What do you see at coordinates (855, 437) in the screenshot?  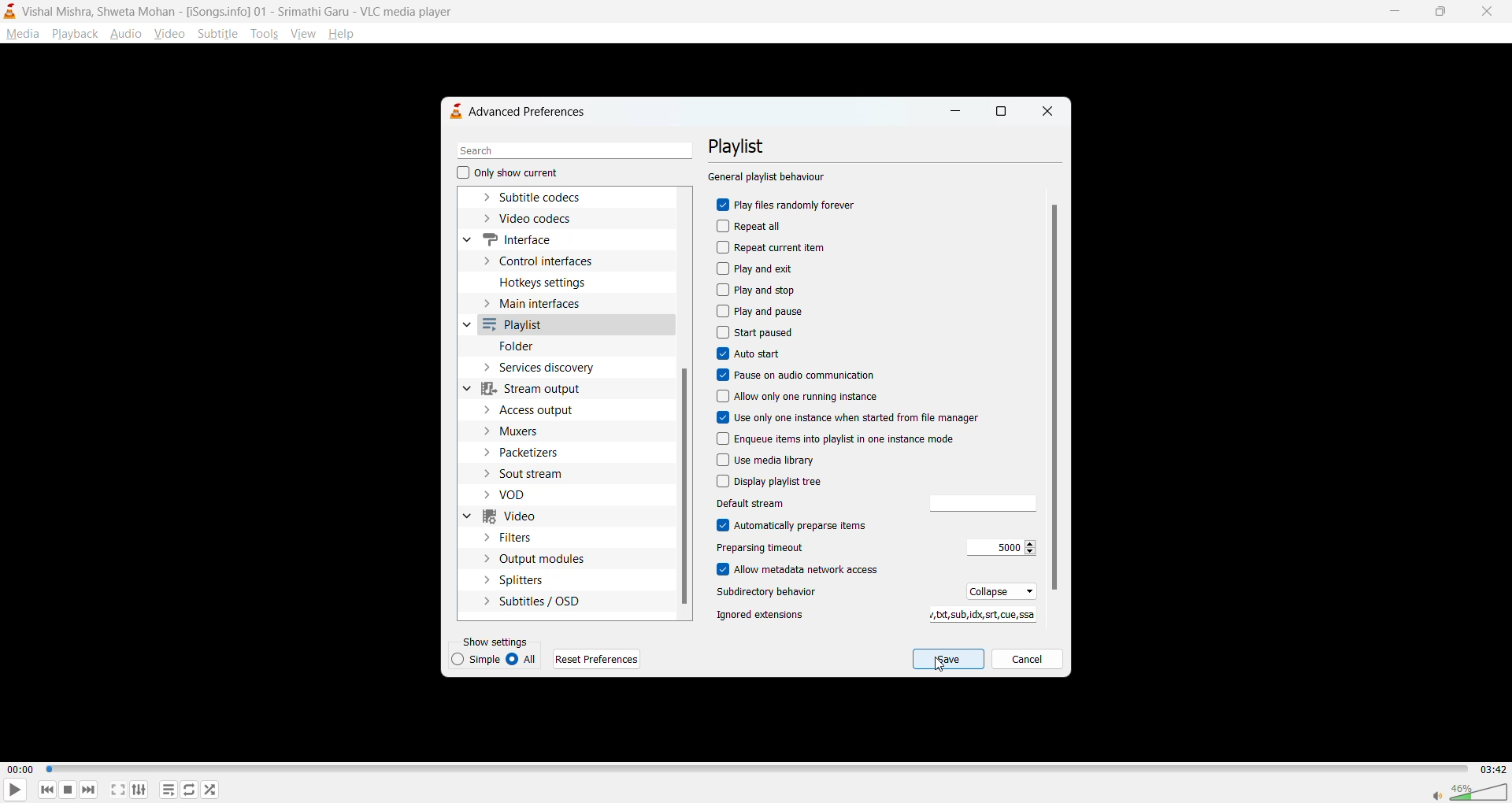 I see `enqueue items into playlist` at bounding box center [855, 437].